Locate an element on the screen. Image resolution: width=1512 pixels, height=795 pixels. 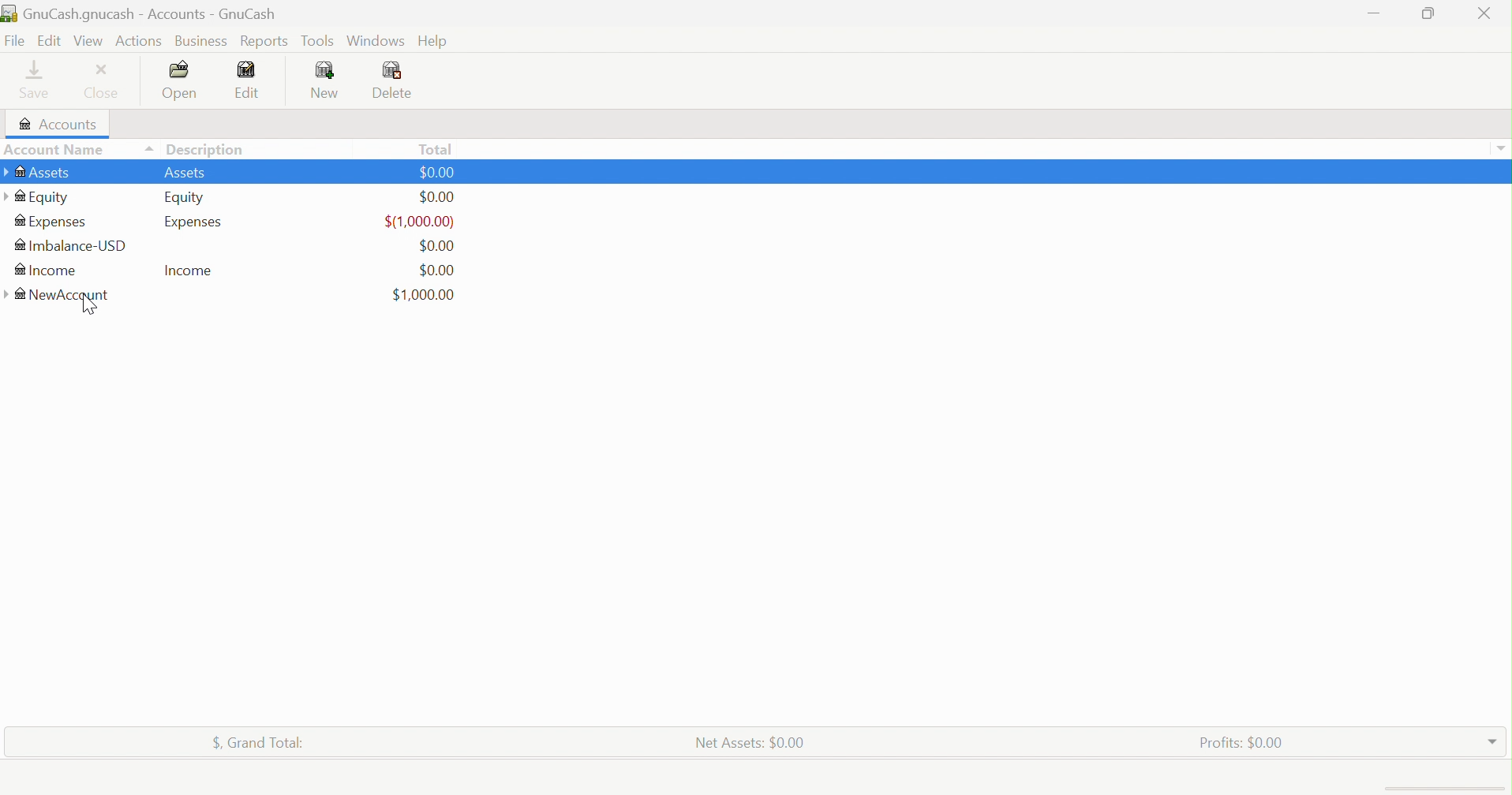
Expenses is located at coordinates (51, 222).